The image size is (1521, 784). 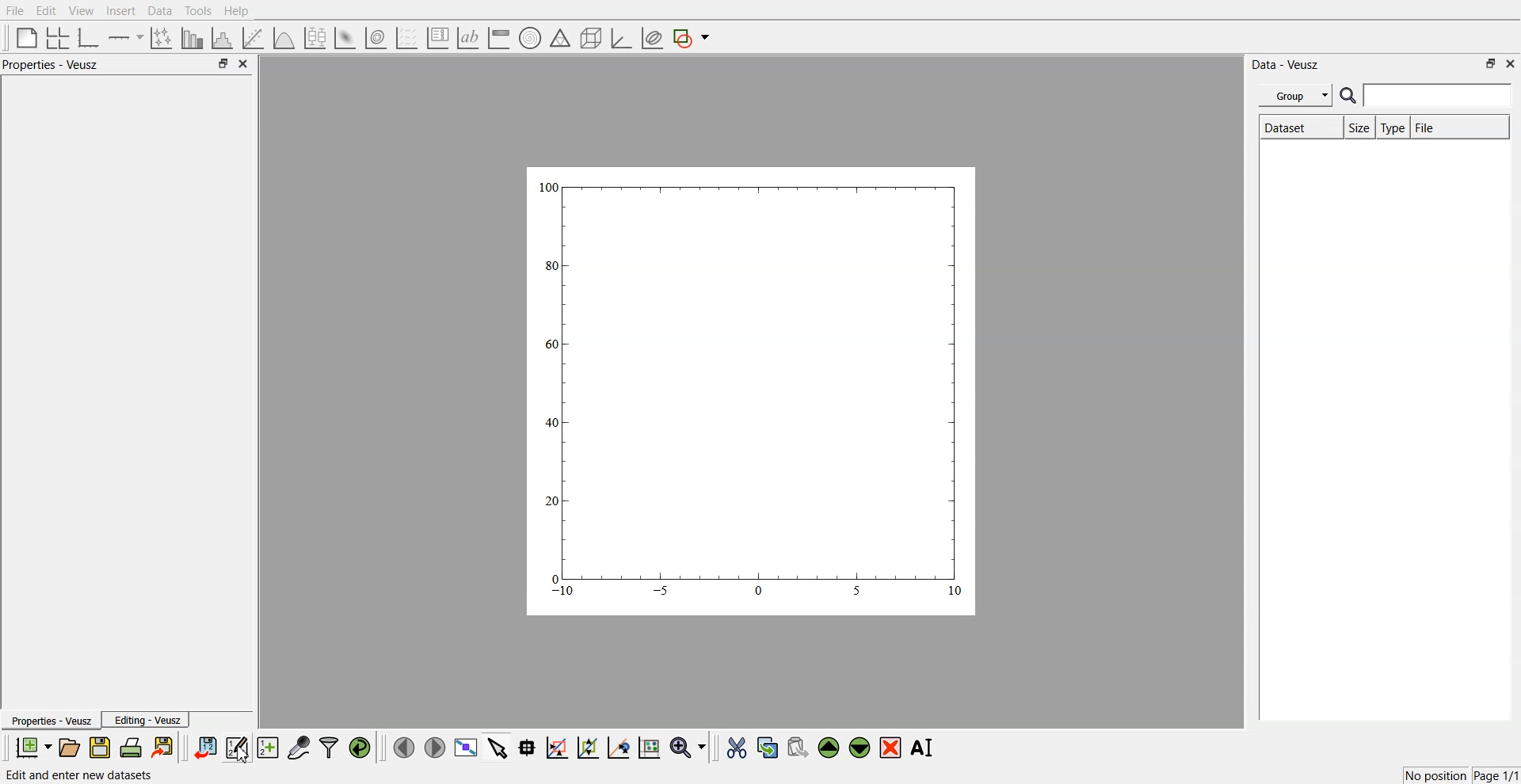 What do you see at coordinates (102, 748) in the screenshot?
I see `save` at bounding box center [102, 748].